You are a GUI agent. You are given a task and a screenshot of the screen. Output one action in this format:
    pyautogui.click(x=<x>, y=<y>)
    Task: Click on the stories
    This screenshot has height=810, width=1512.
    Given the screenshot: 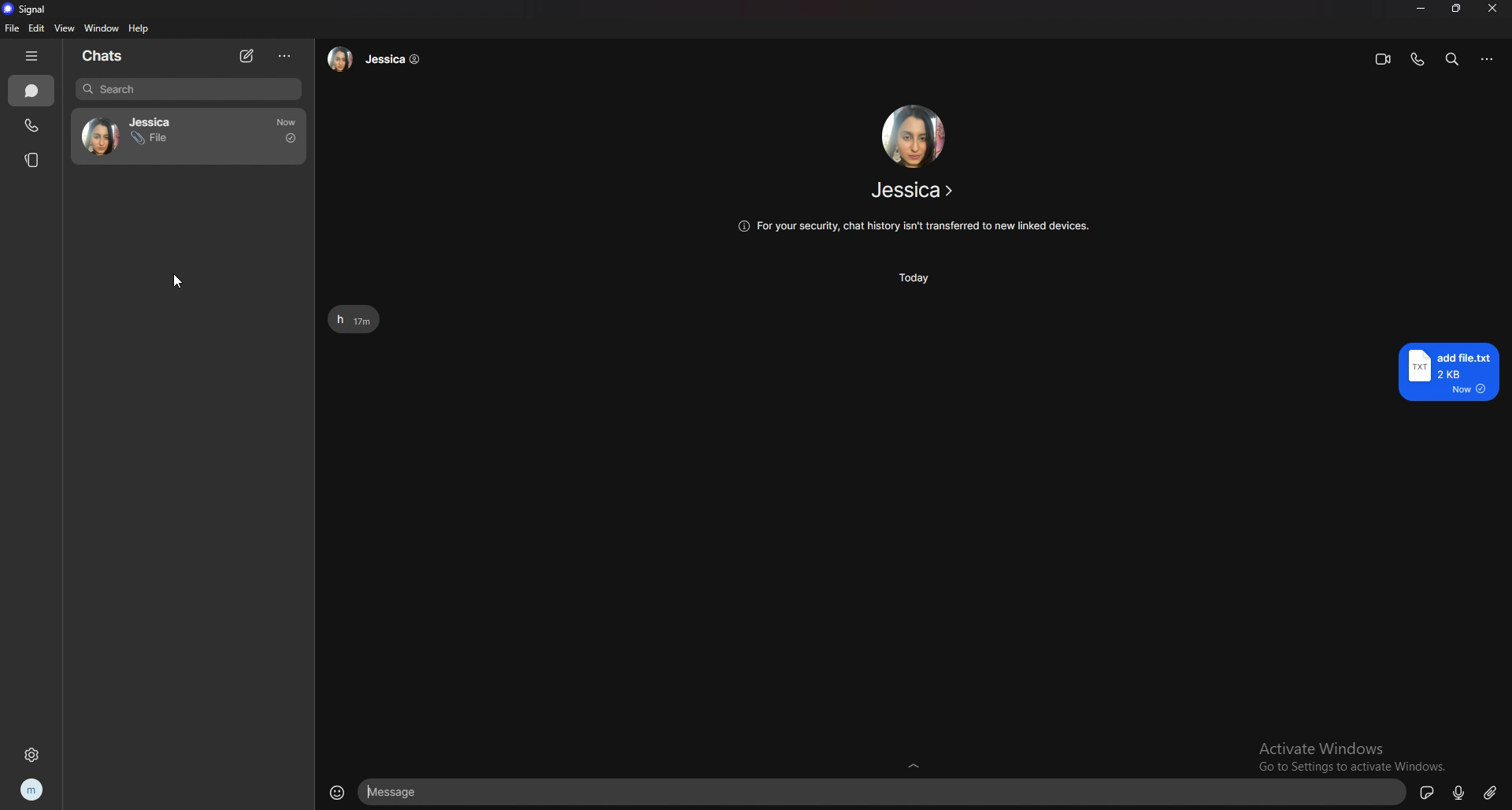 What is the action you would take?
    pyautogui.click(x=34, y=159)
    